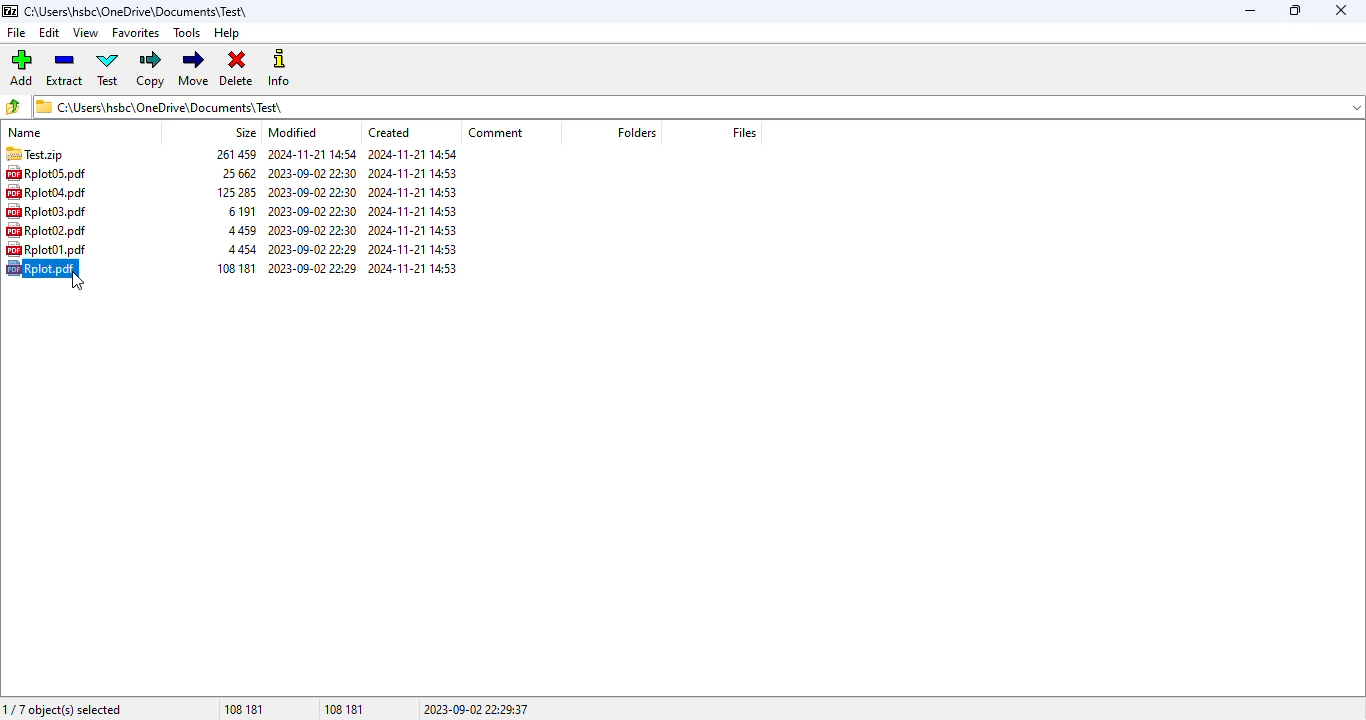  I want to click on 4459, so click(232, 229).